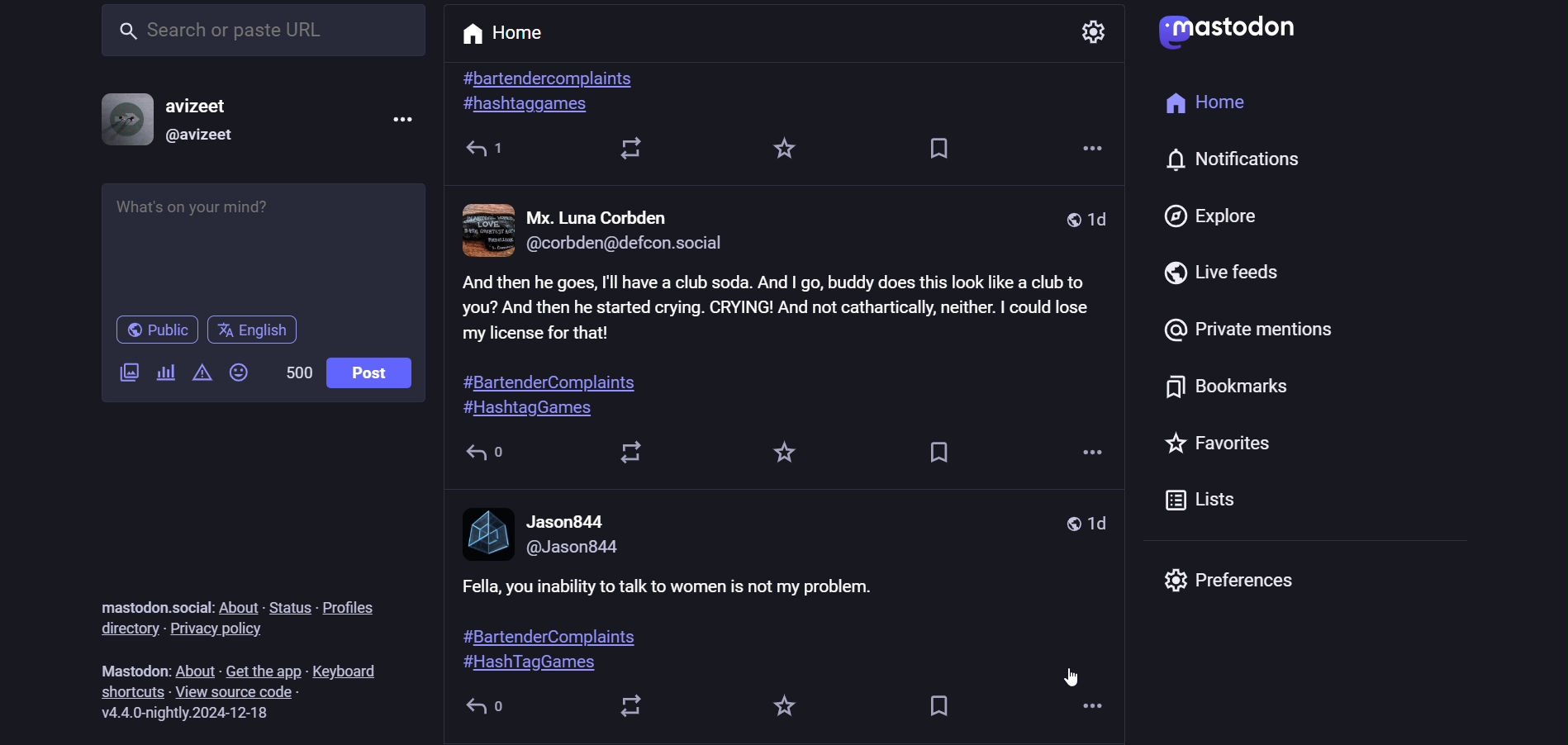 This screenshot has width=1568, height=745. I want to click on get the app, so click(265, 667).